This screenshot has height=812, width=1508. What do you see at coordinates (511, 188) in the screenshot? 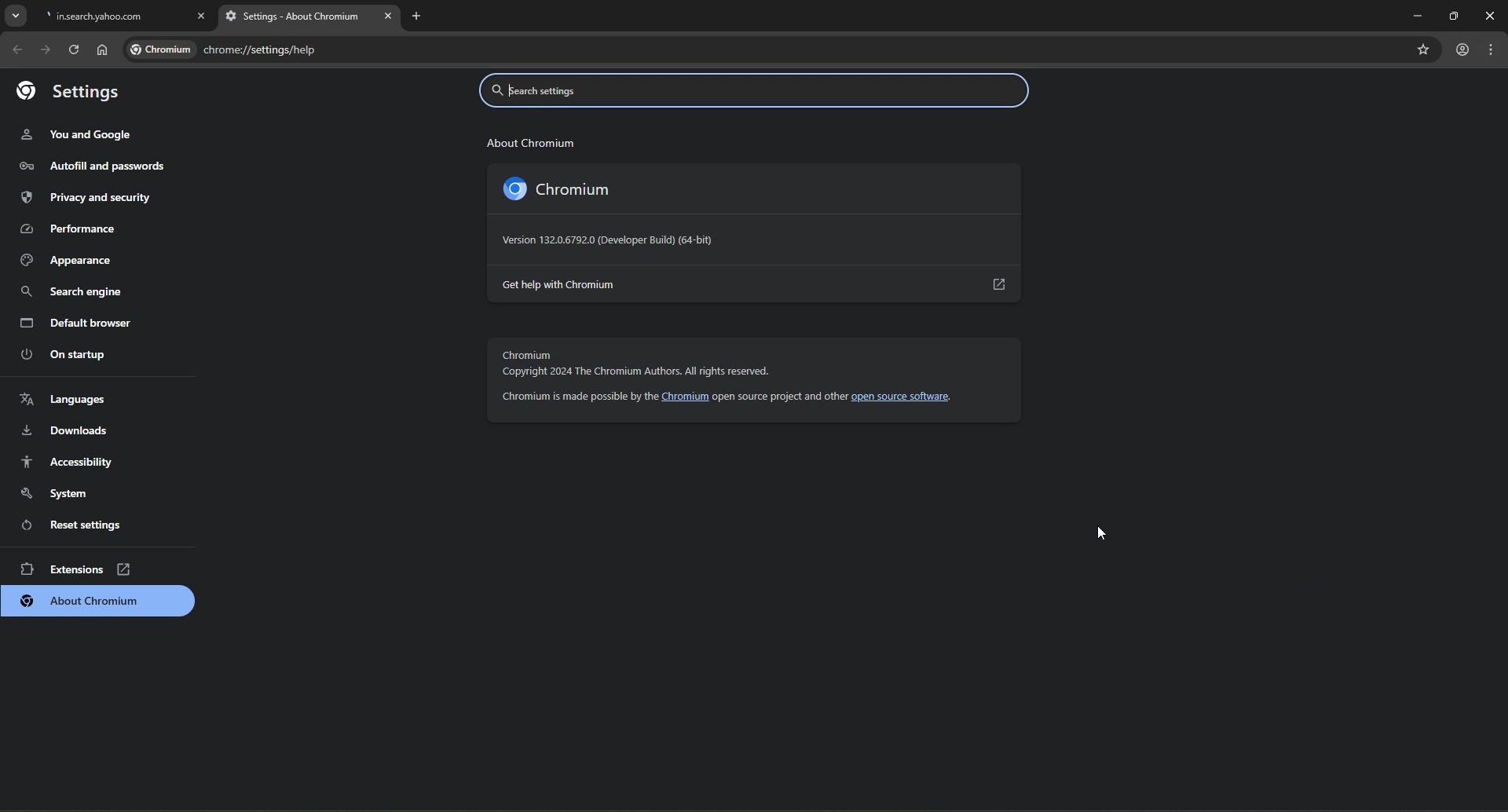
I see `Logo` at bounding box center [511, 188].